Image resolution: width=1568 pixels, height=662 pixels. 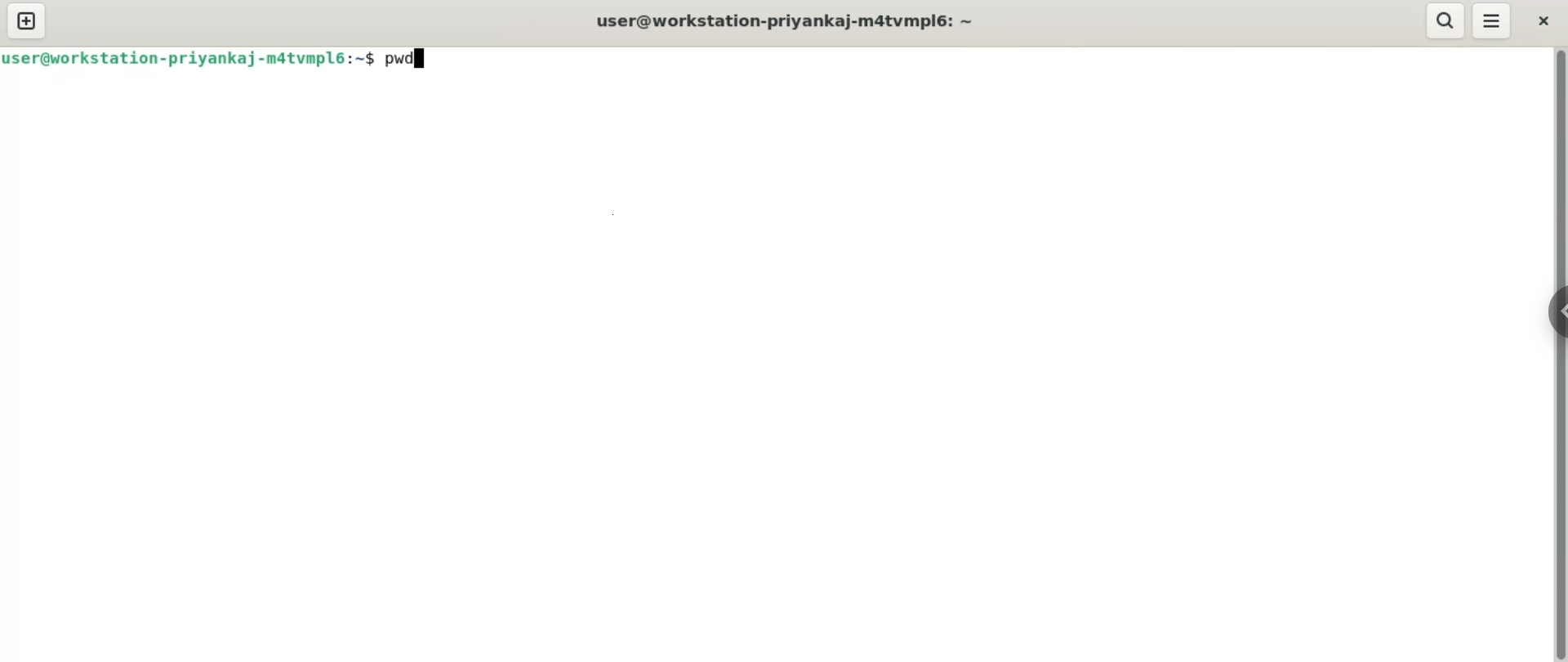 What do you see at coordinates (1543, 21) in the screenshot?
I see `close` at bounding box center [1543, 21].